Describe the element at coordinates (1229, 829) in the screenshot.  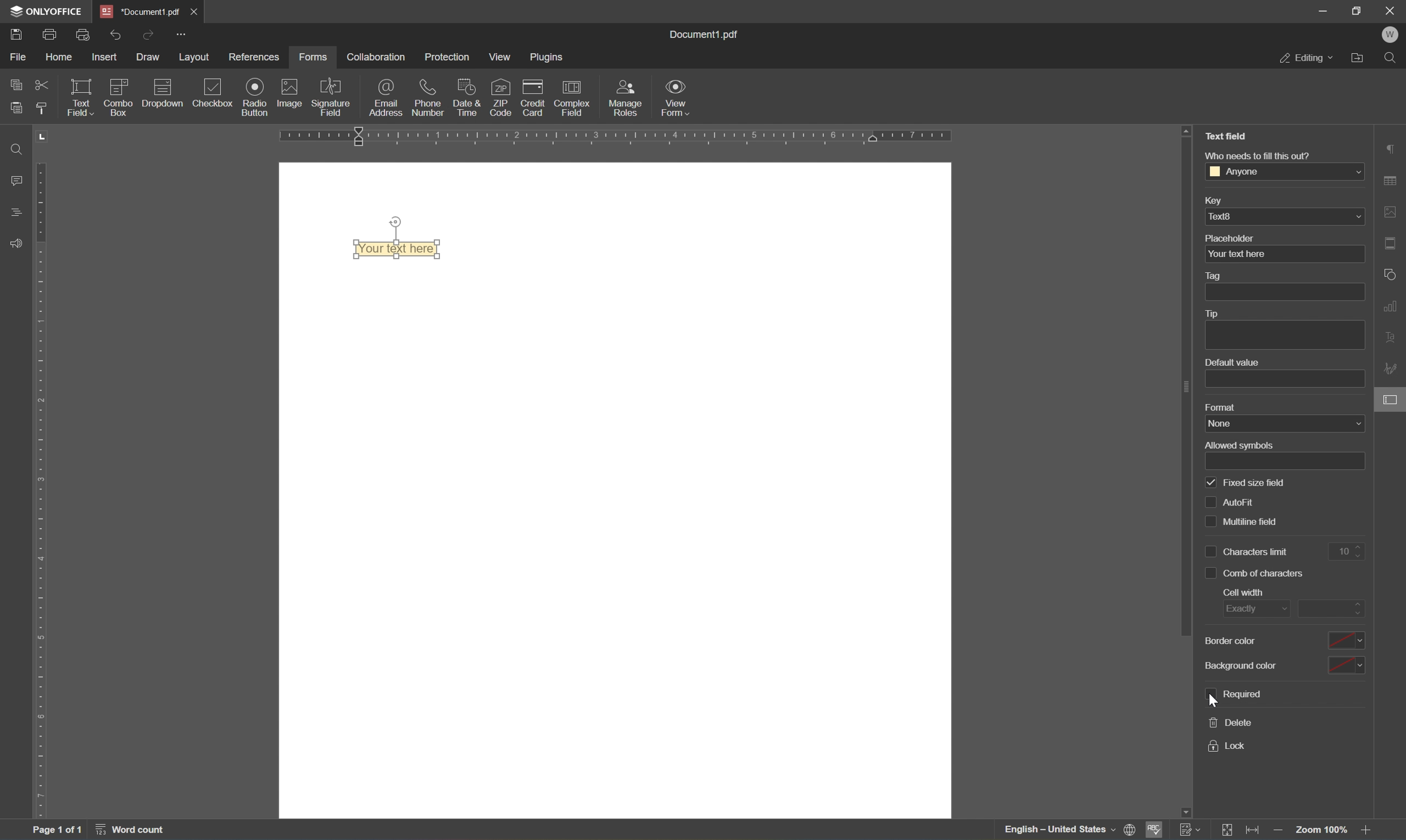
I see `fit to page` at that location.